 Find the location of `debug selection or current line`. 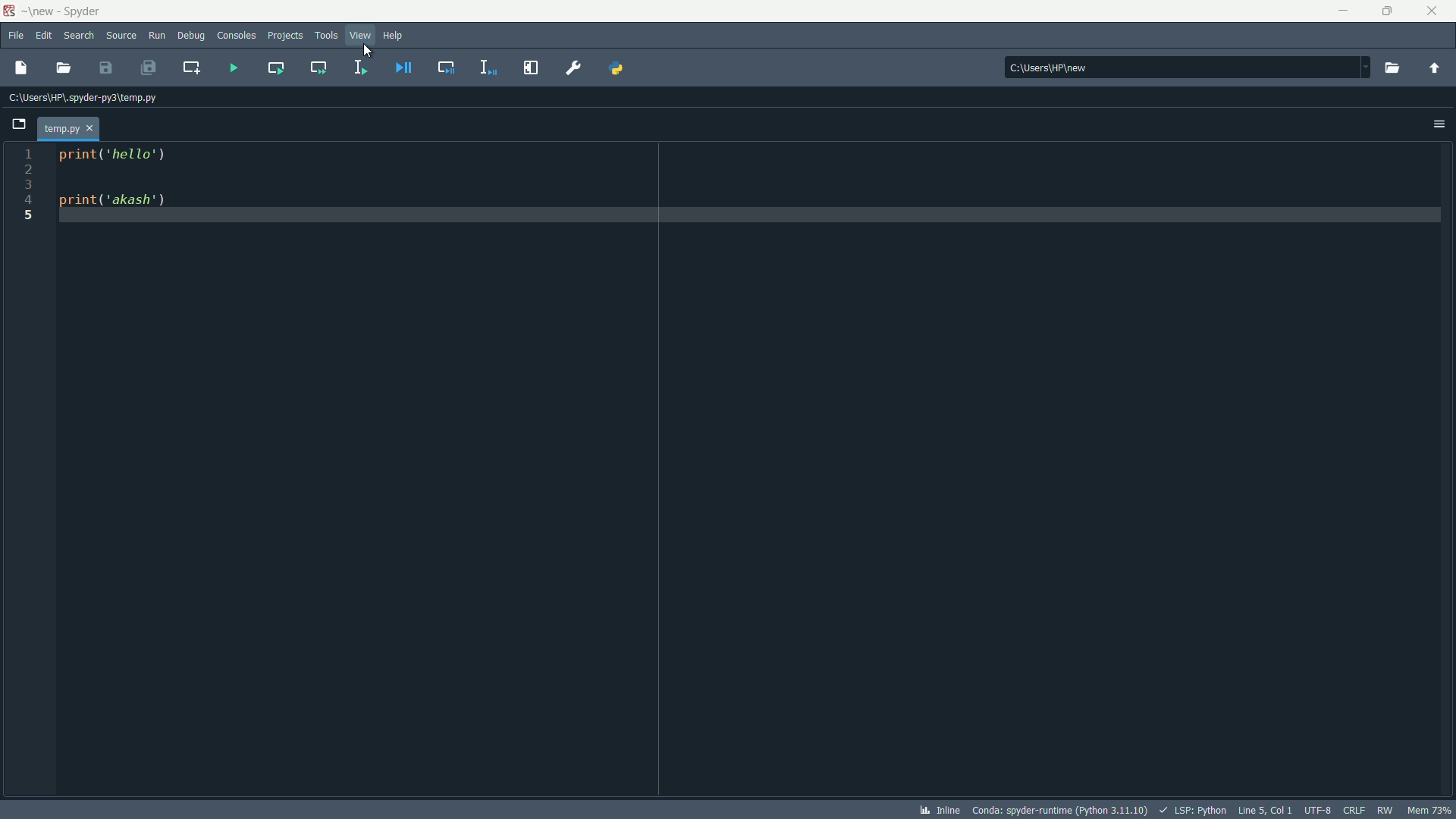

debug selection or current line is located at coordinates (488, 68).